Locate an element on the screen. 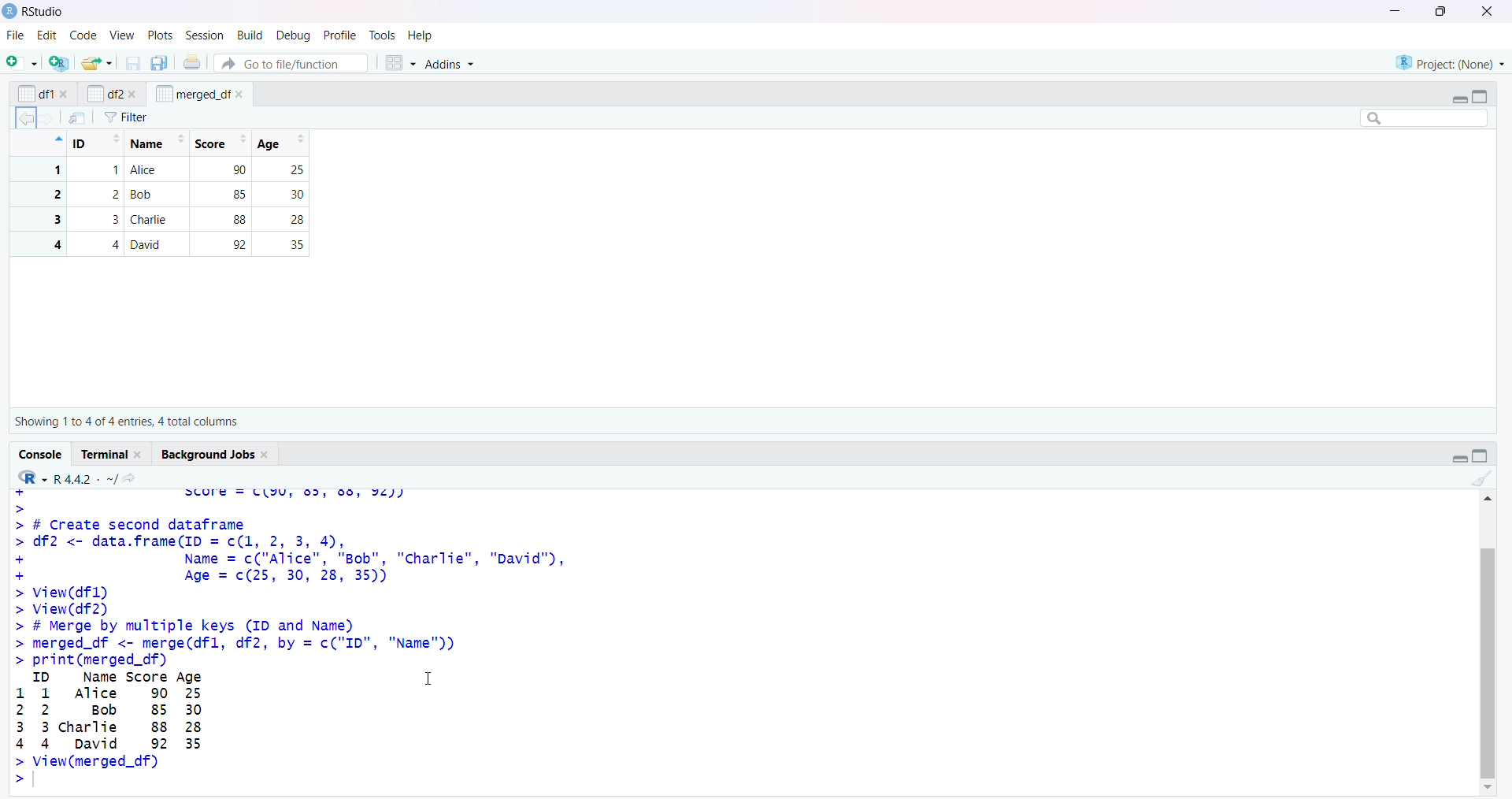 Image resolution: width=1512 pixels, height=799 pixels. Showing 1 to 4 of 4 entries, 3 total columns is located at coordinates (126, 422).